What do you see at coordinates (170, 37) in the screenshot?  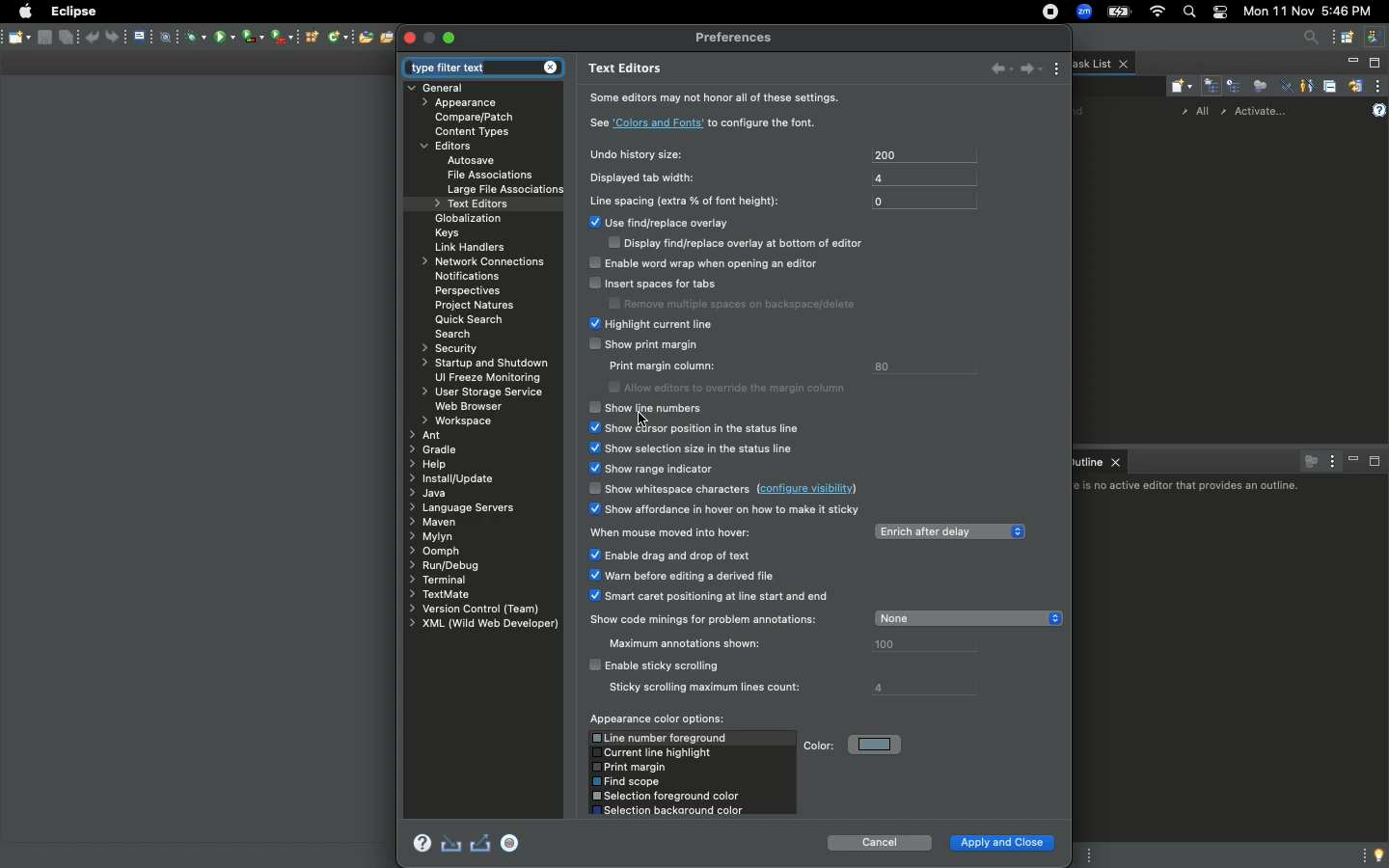 I see `Compass` at bounding box center [170, 37].